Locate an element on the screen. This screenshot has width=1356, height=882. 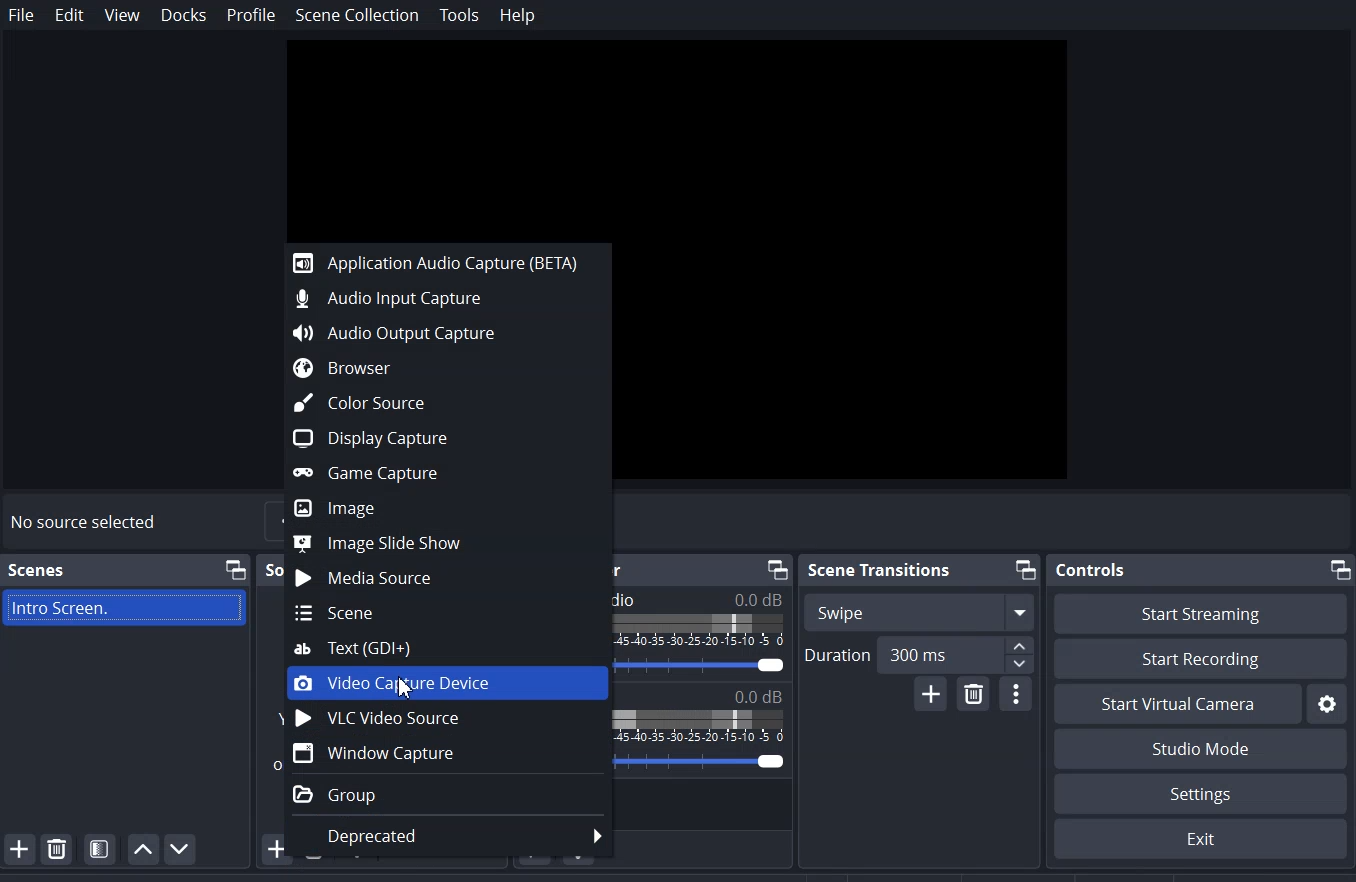
Scene Transition is located at coordinates (878, 569).